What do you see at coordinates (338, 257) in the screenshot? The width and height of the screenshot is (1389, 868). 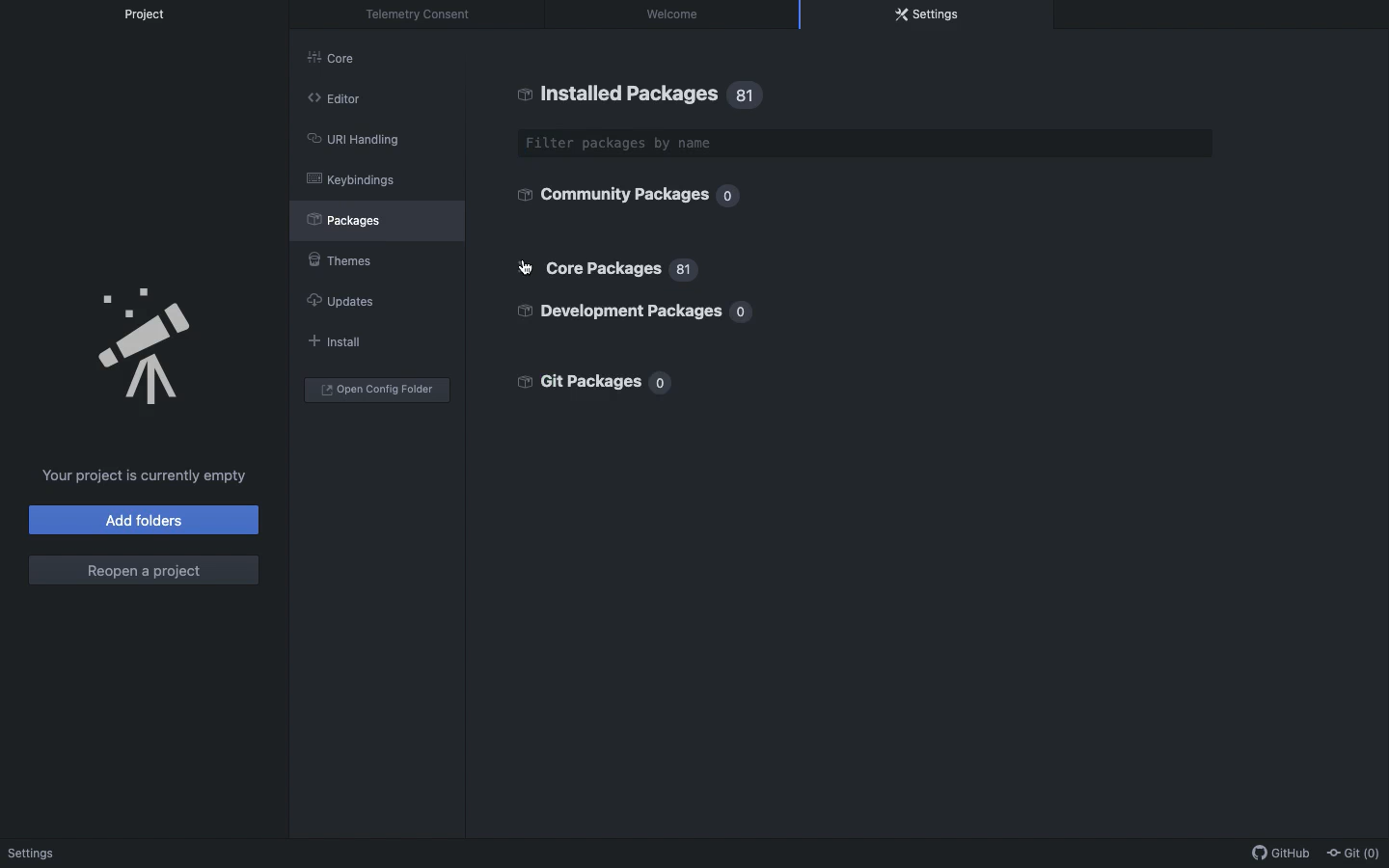 I see `Themes` at bounding box center [338, 257].